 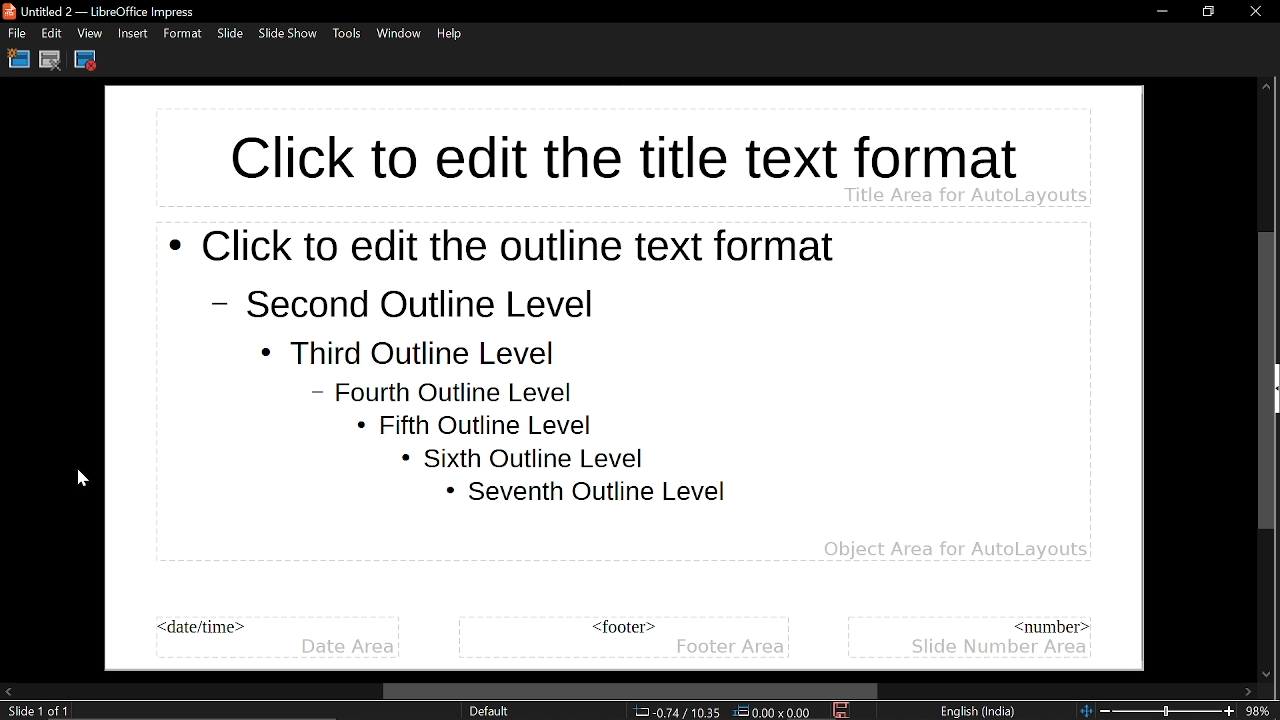 What do you see at coordinates (981, 710) in the screenshot?
I see `Language` at bounding box center [981, 710].